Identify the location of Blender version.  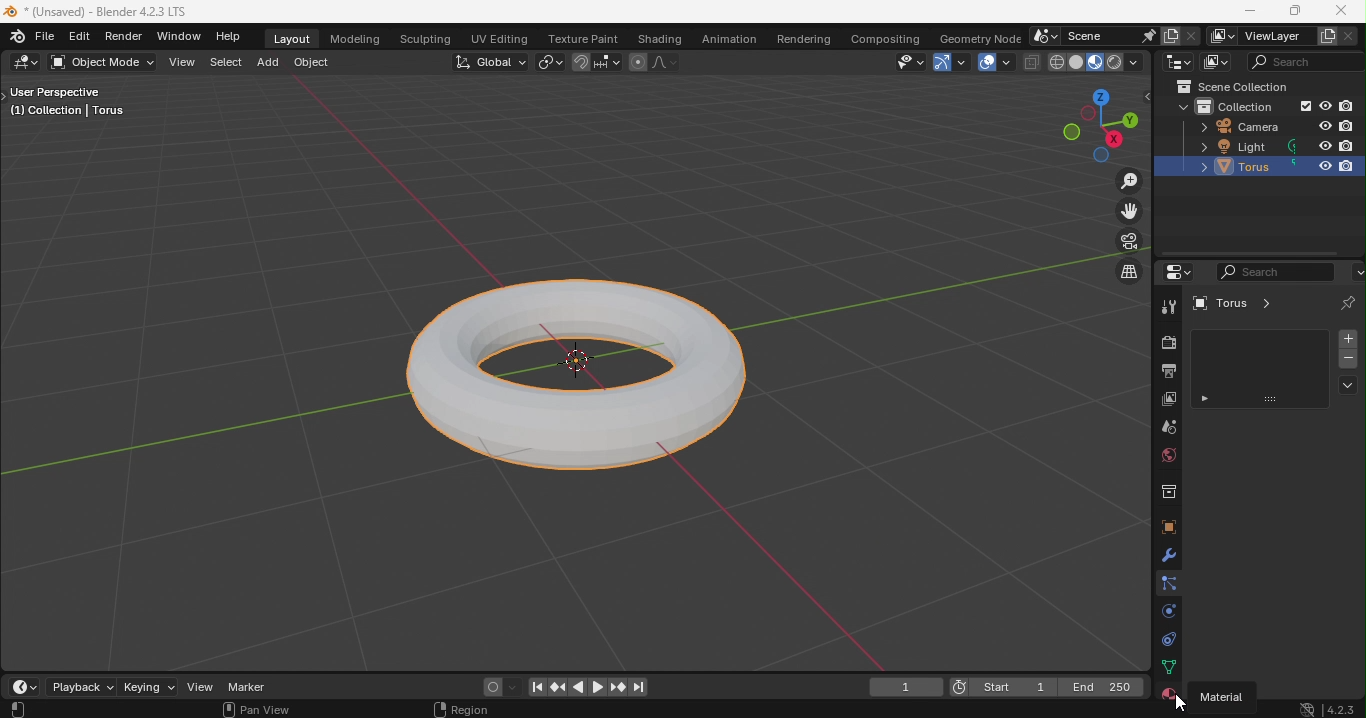
(1341, 707).